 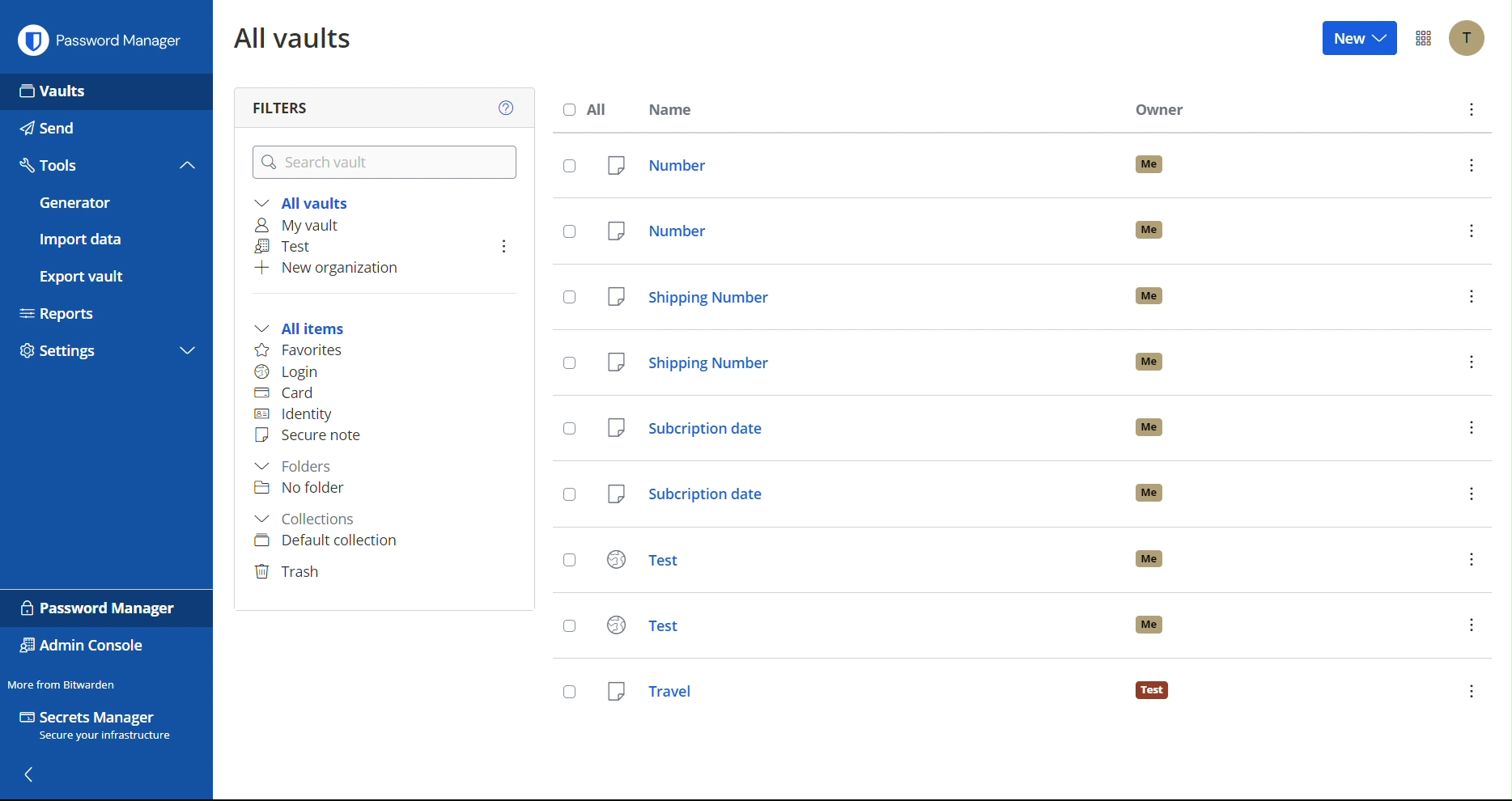 What do you see at coordinates (303, 350) in the screenshot?
I see `Favorites` at bounding box center [303, 350].